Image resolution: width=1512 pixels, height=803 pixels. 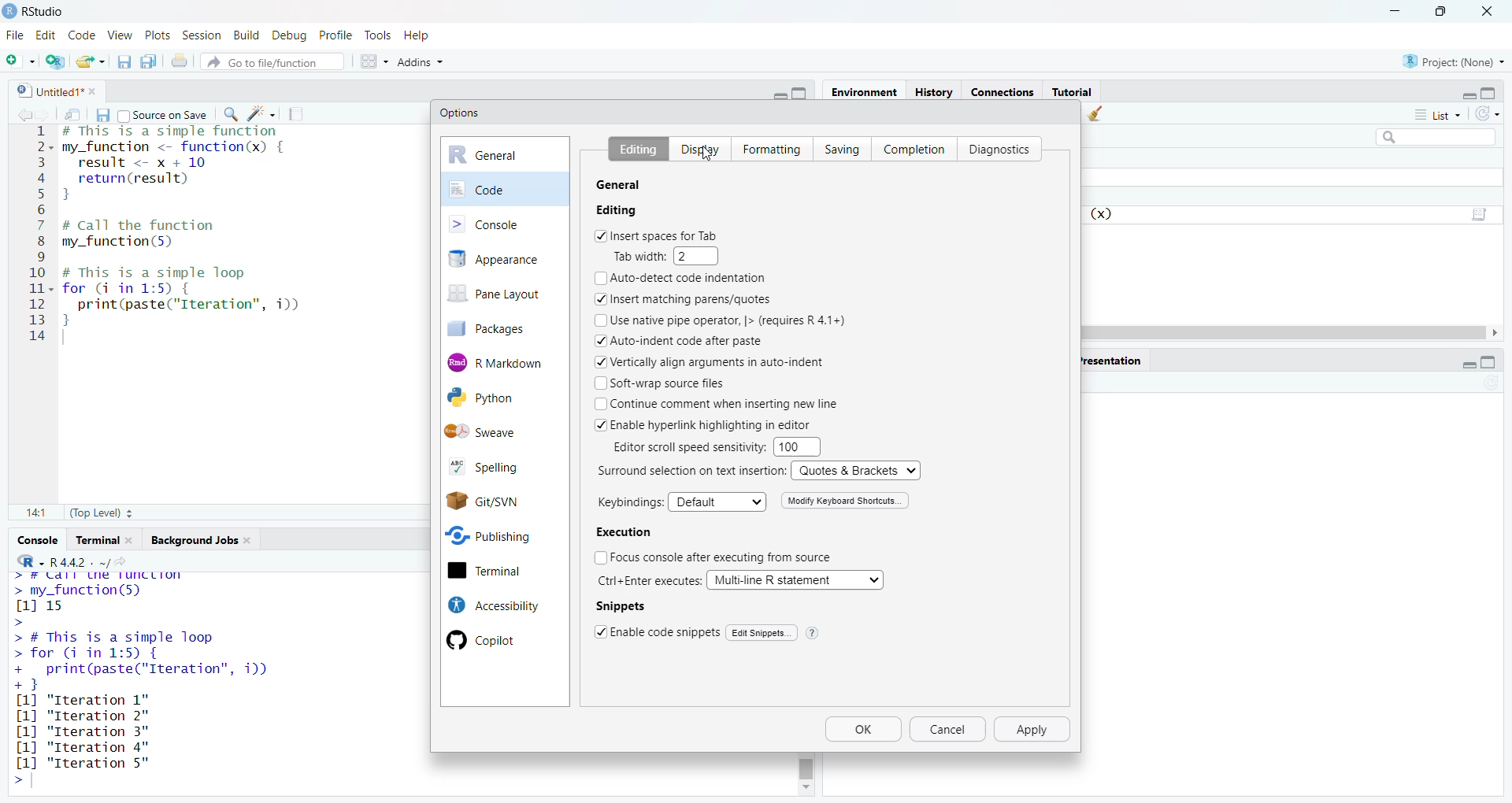 I want to click on apply, so click(x=1035, y=730).